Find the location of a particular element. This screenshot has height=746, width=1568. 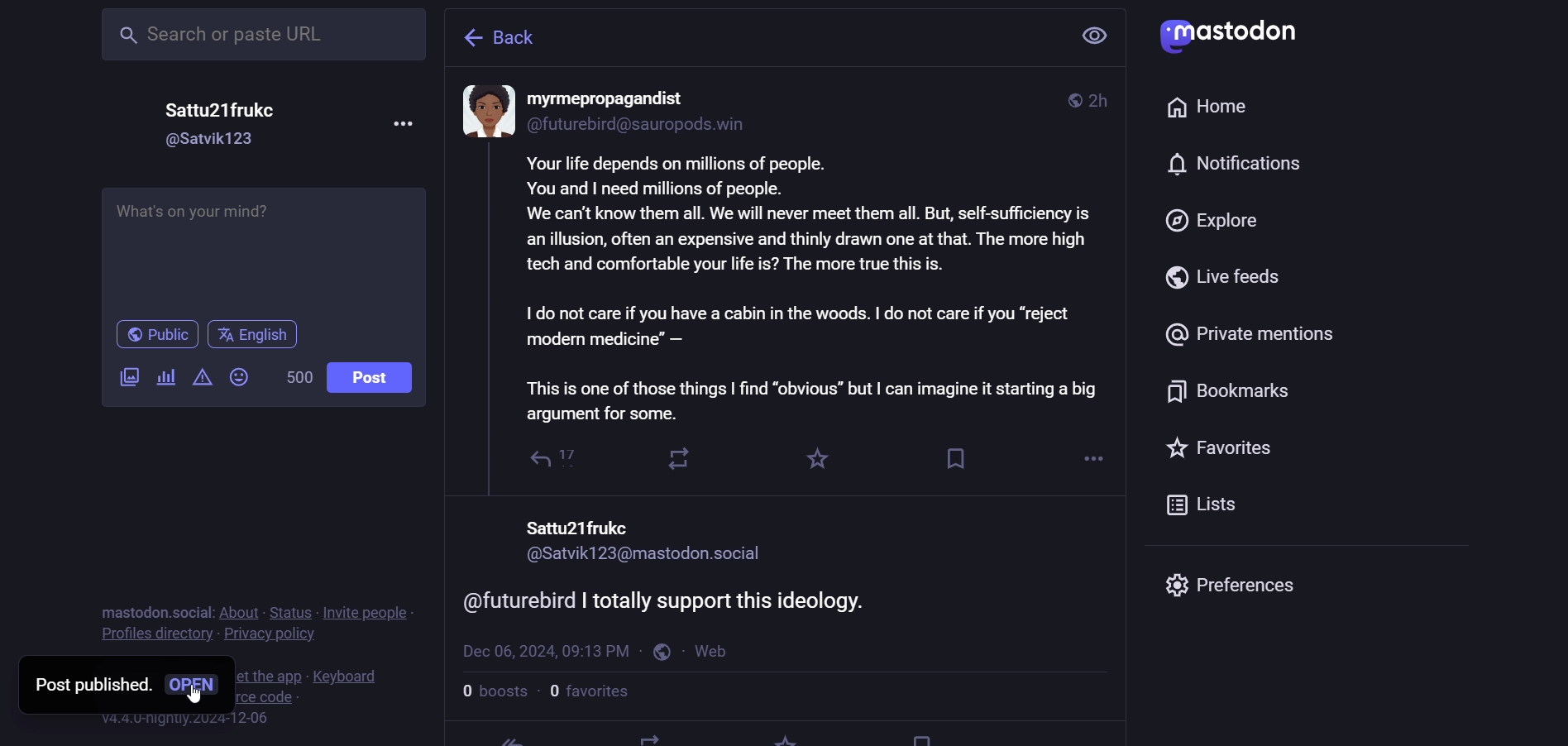

boost is located at coordinates (679, 459).